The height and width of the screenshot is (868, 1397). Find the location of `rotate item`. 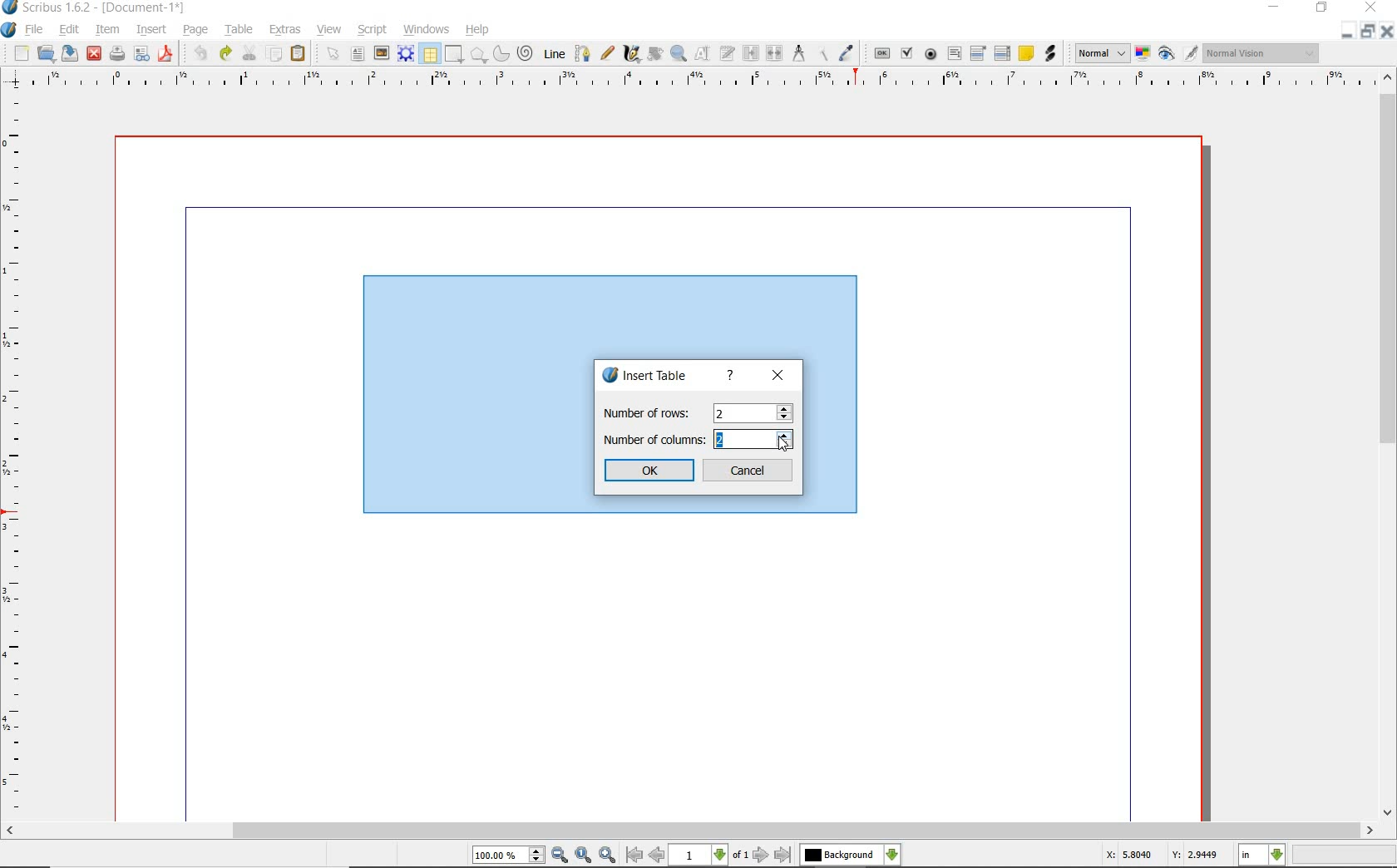

rotate item is located at coordinates (654, 55).